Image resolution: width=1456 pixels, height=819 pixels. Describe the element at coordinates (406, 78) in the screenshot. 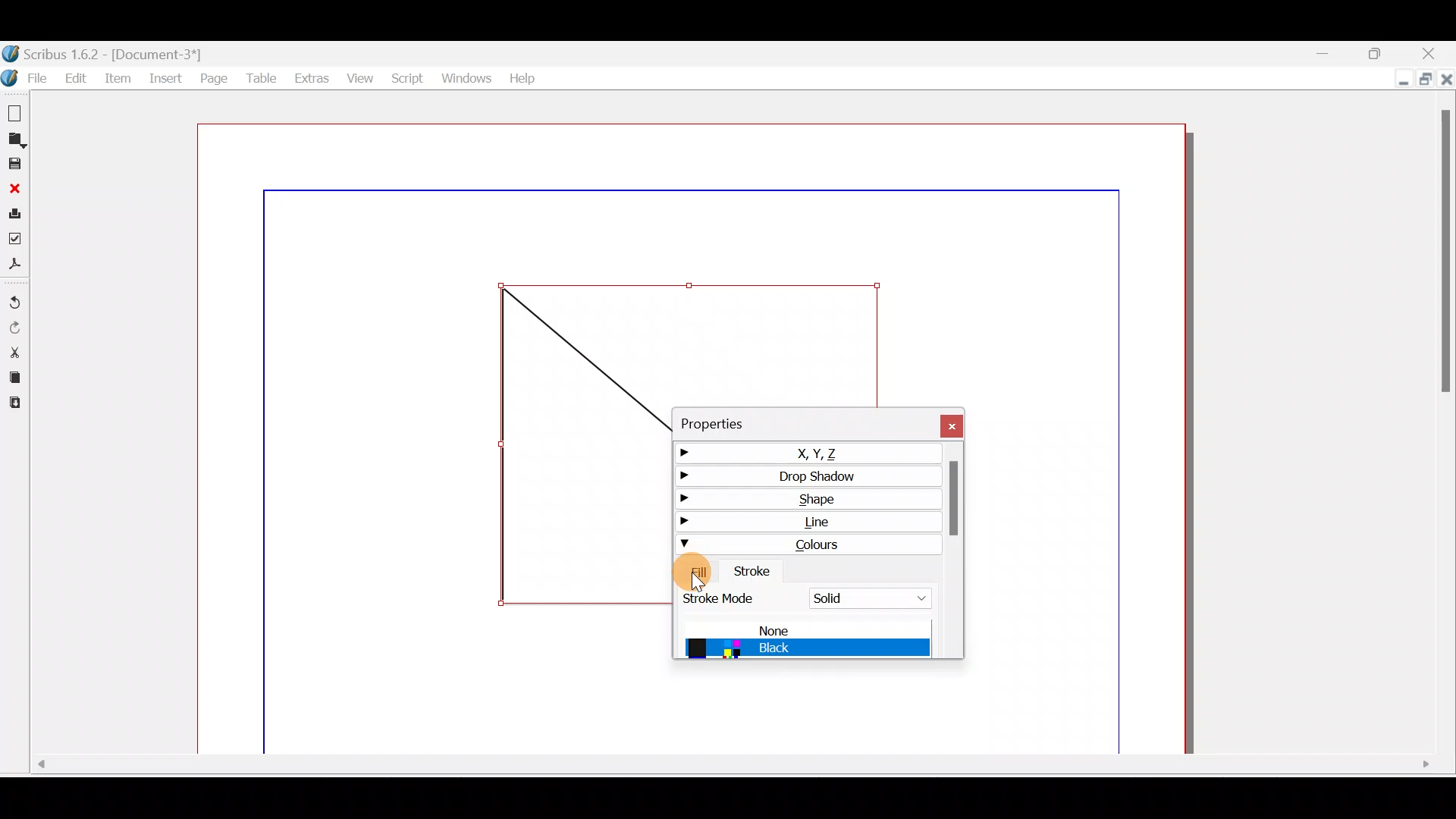

I see `Script` at that location.